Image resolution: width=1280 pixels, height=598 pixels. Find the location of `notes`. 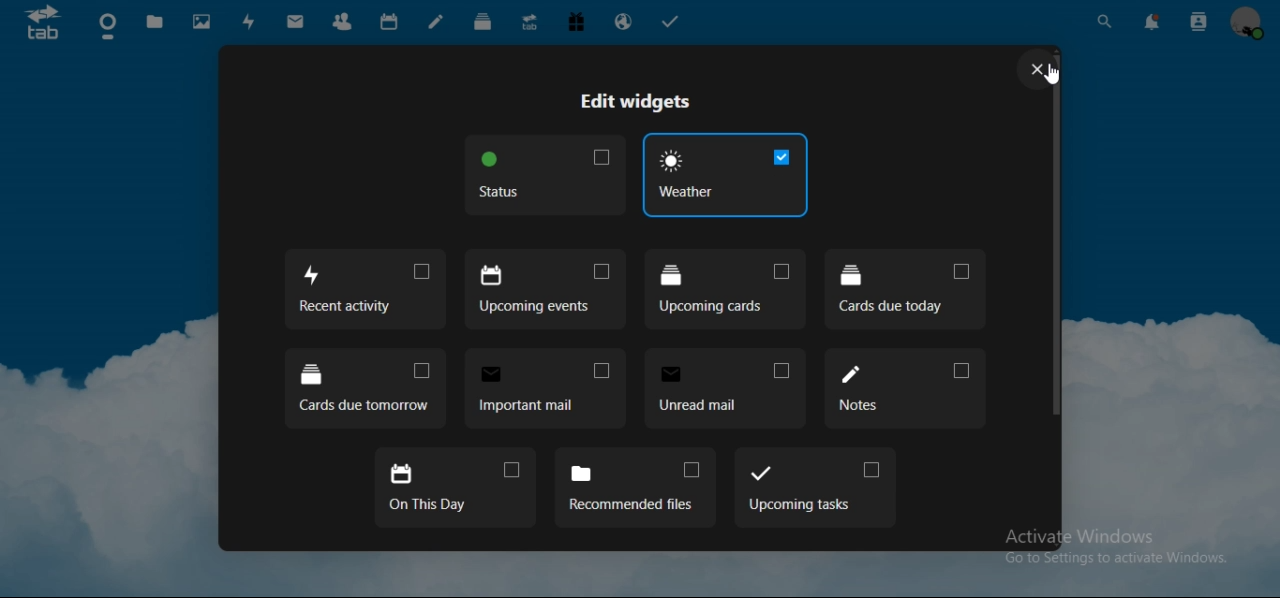

notes is located at coordinates (904, 388).